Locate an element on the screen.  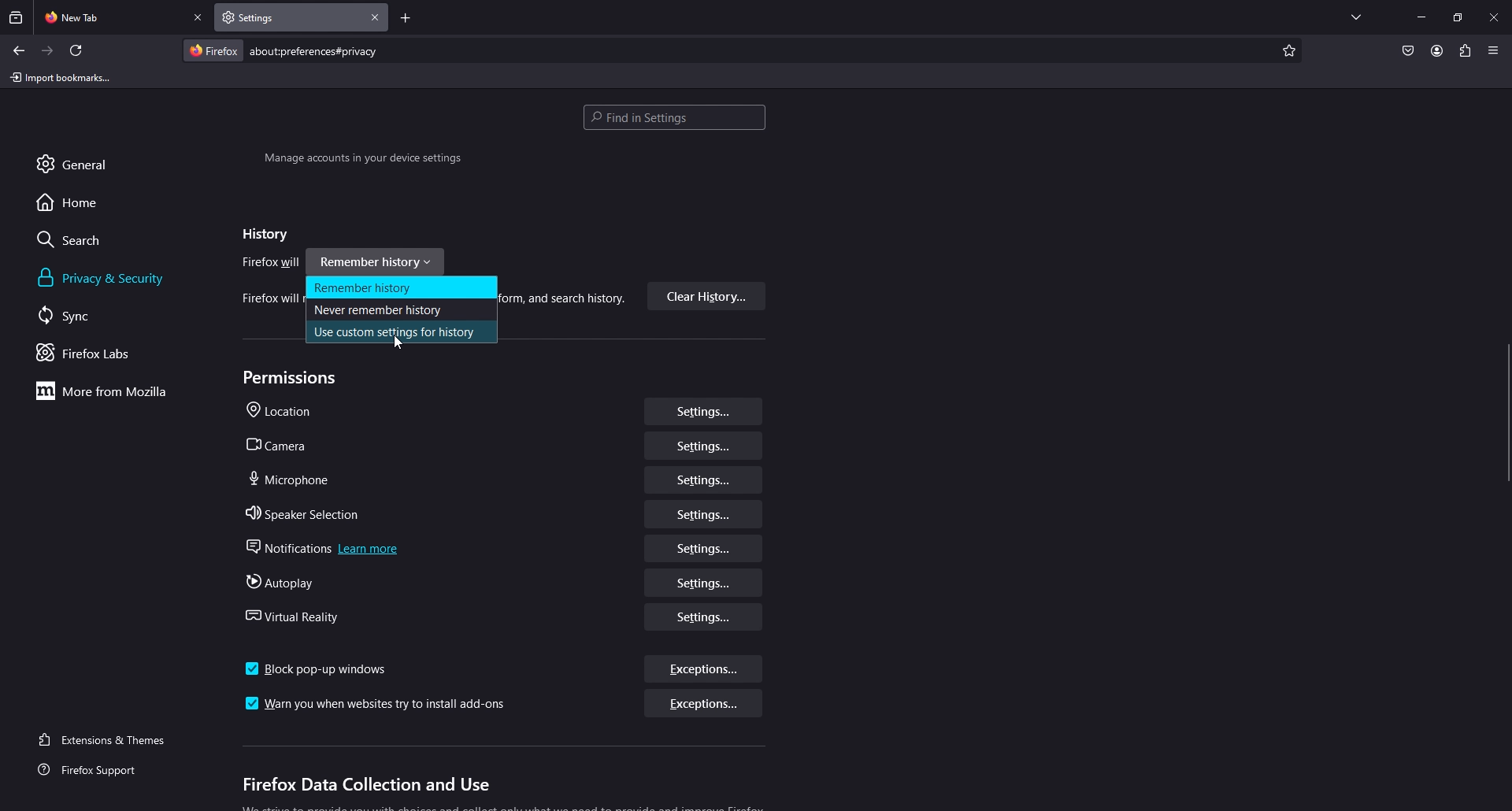
exceptions is located at coordinates (701, 705).